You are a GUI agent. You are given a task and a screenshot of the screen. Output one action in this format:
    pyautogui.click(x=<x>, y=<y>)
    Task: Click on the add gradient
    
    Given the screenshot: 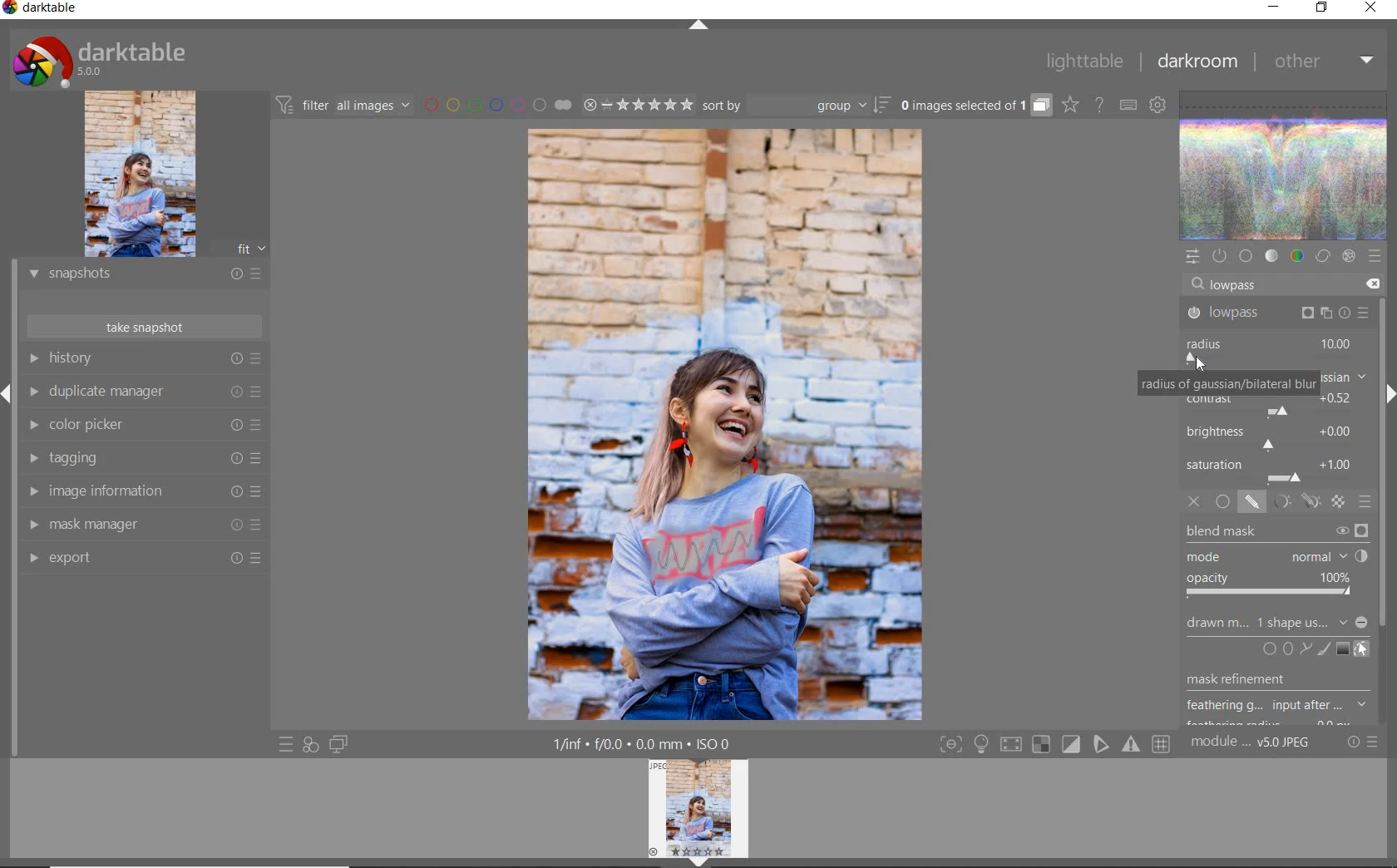 What is the action you would take?
    pyautogui.click(x=1344, y=649)
    